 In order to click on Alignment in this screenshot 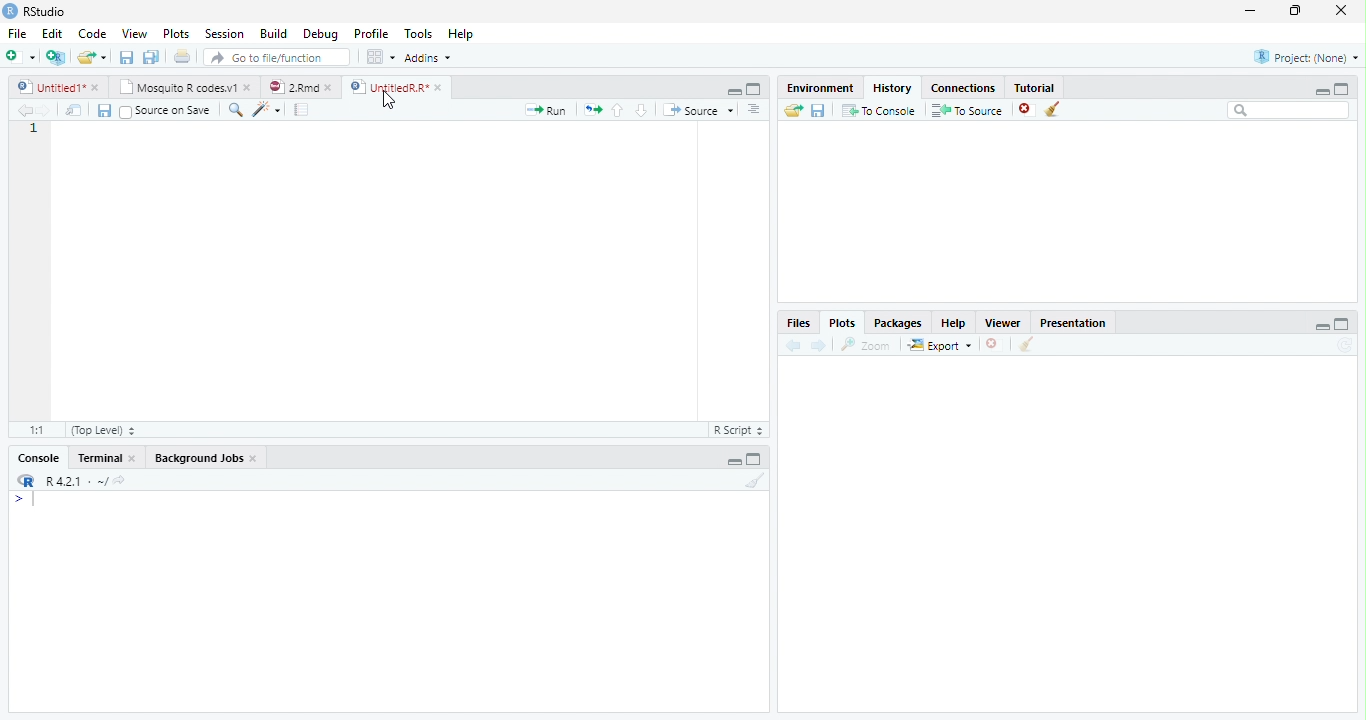, I will do `click(754, 110)`.